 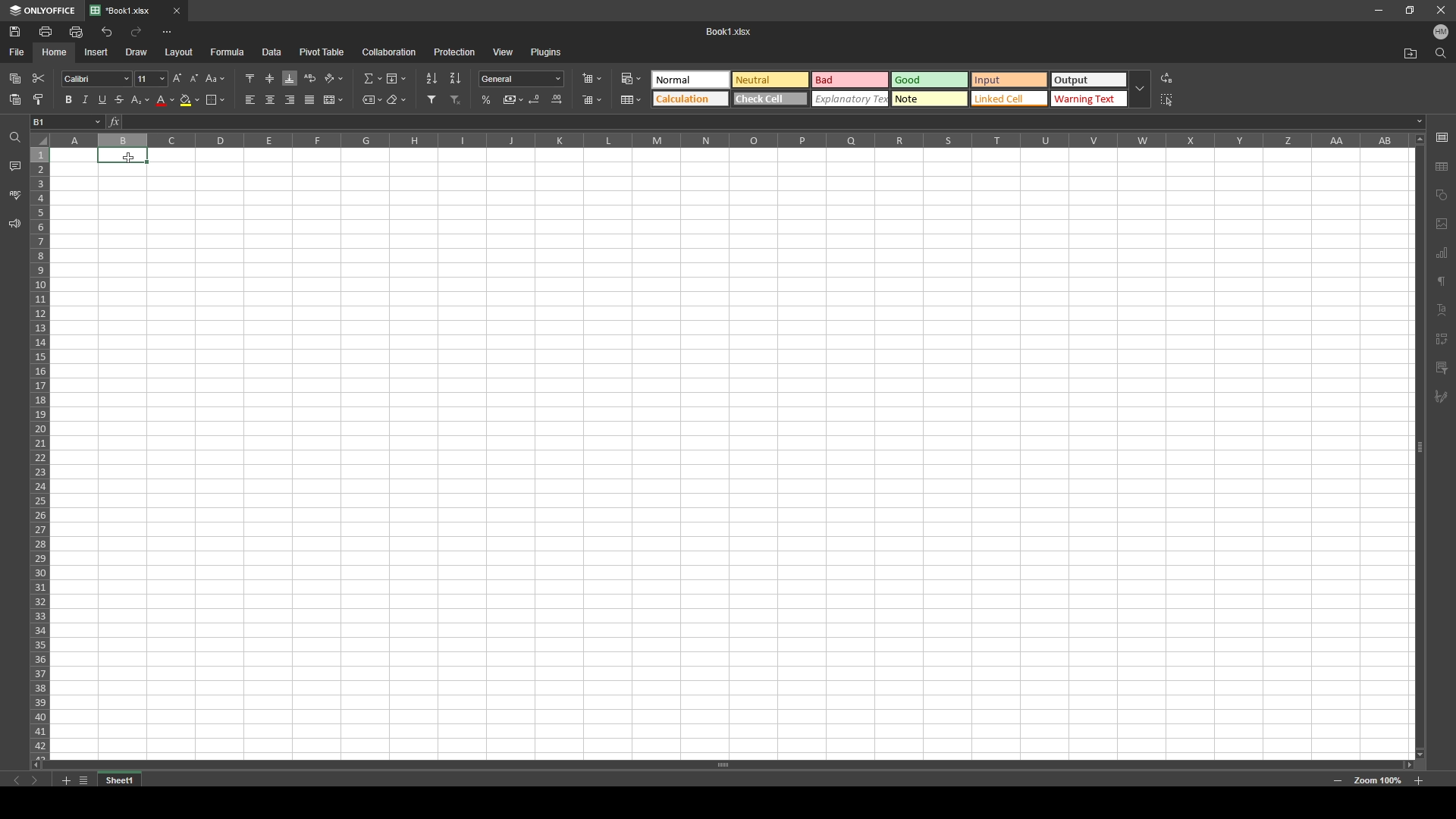 What do you see at coordinates (270, 77) in the screenshot?
I see `align middle` at bounding box center [270, 77].